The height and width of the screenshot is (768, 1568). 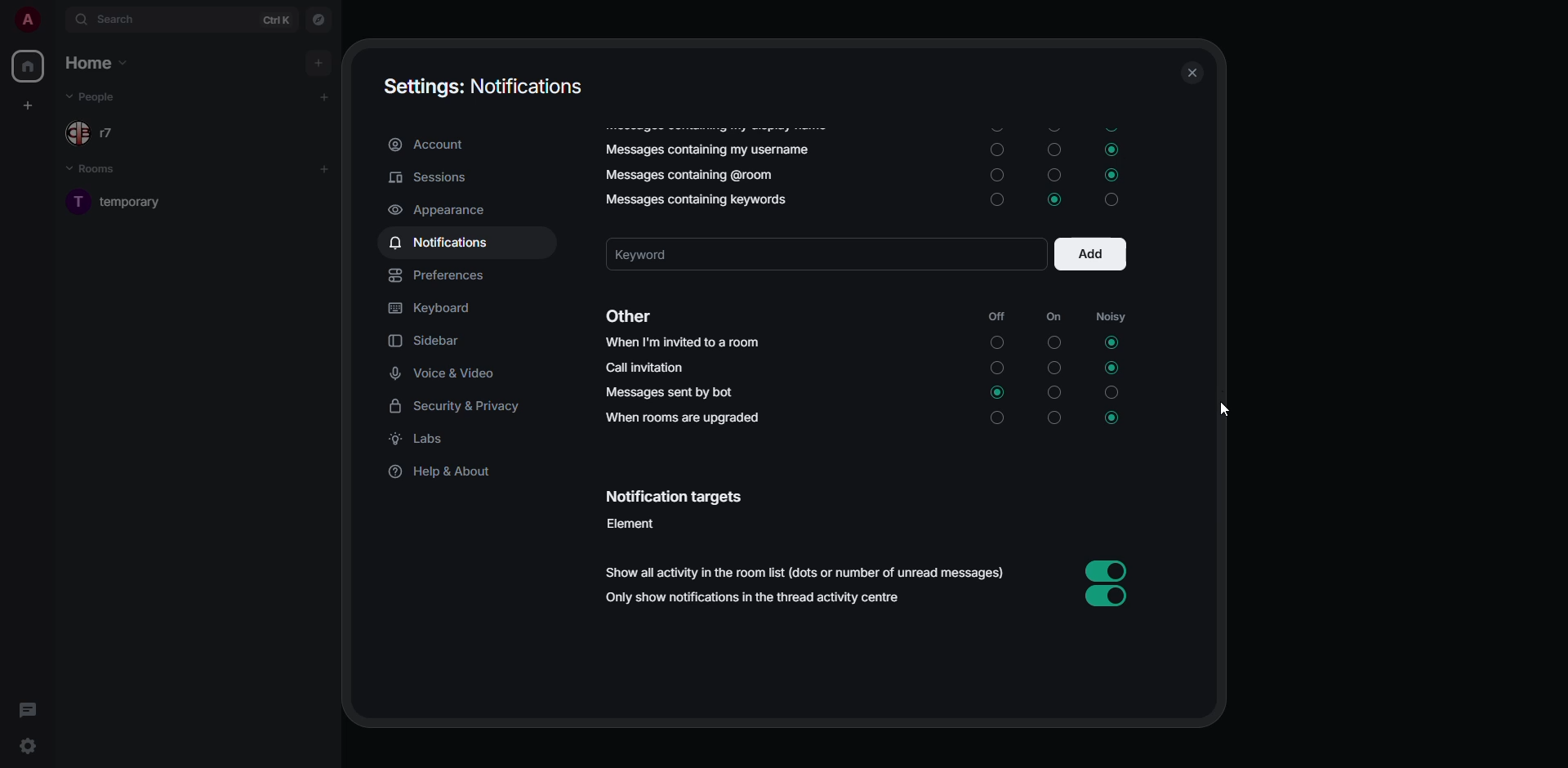 I want to click on selected, so click(x=1110, y=420).